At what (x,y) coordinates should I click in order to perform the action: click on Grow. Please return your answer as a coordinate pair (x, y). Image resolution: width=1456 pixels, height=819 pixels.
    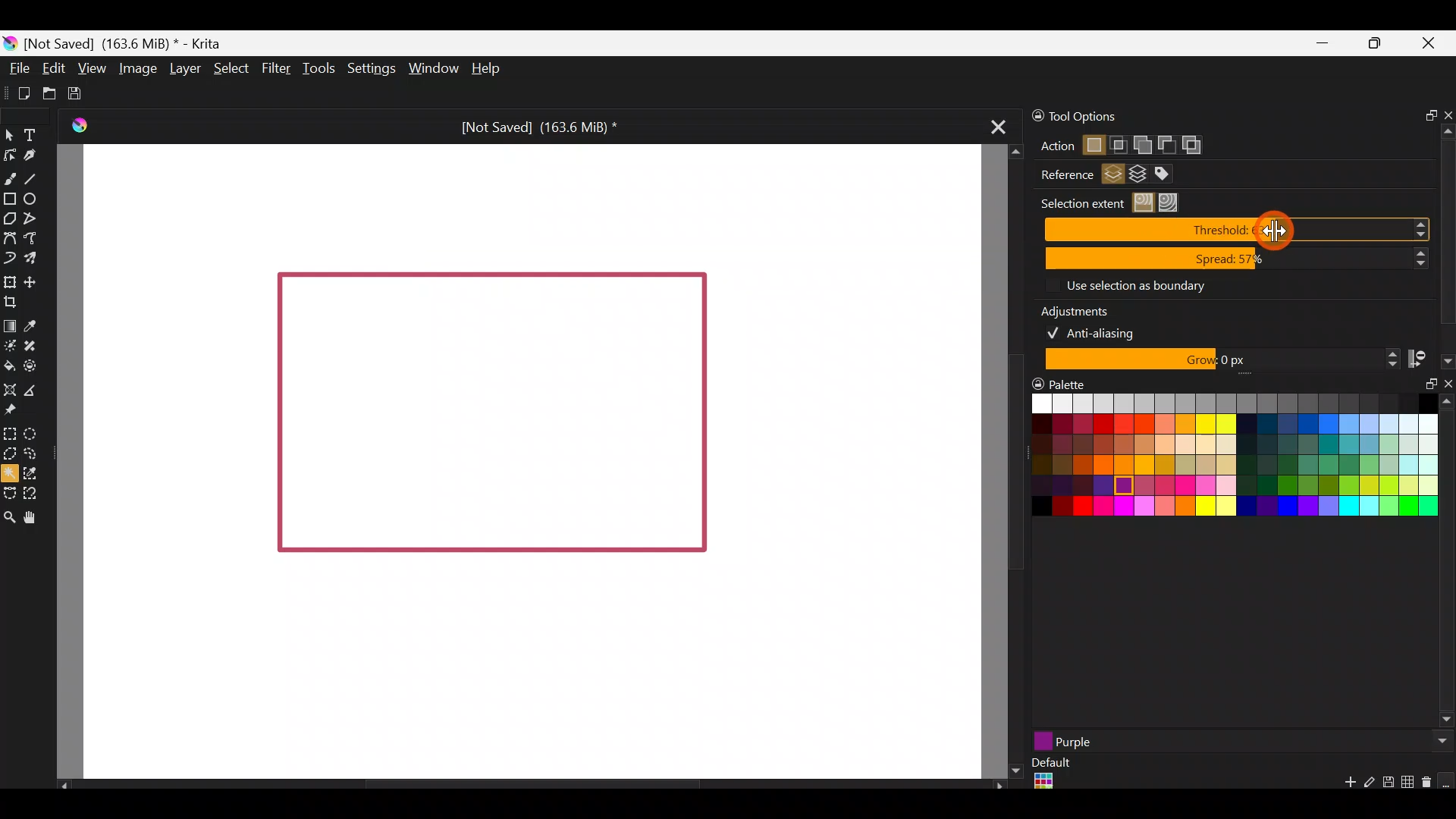
    Looking at the image, I should click on (1219, 360).